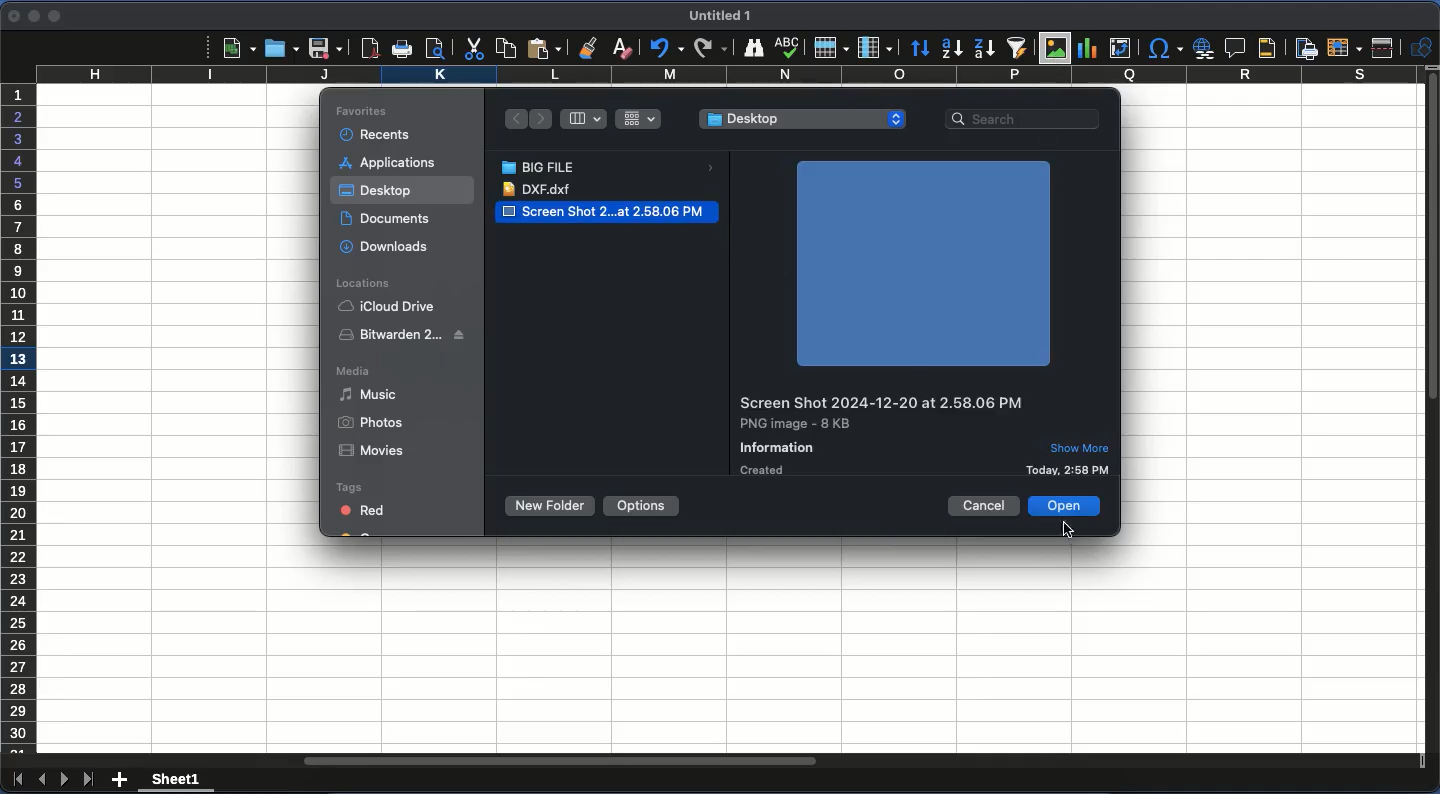  What do you see at coordinates (1067, 505) in the screenshot?
I see `open` at bounding box center [1067, 505].